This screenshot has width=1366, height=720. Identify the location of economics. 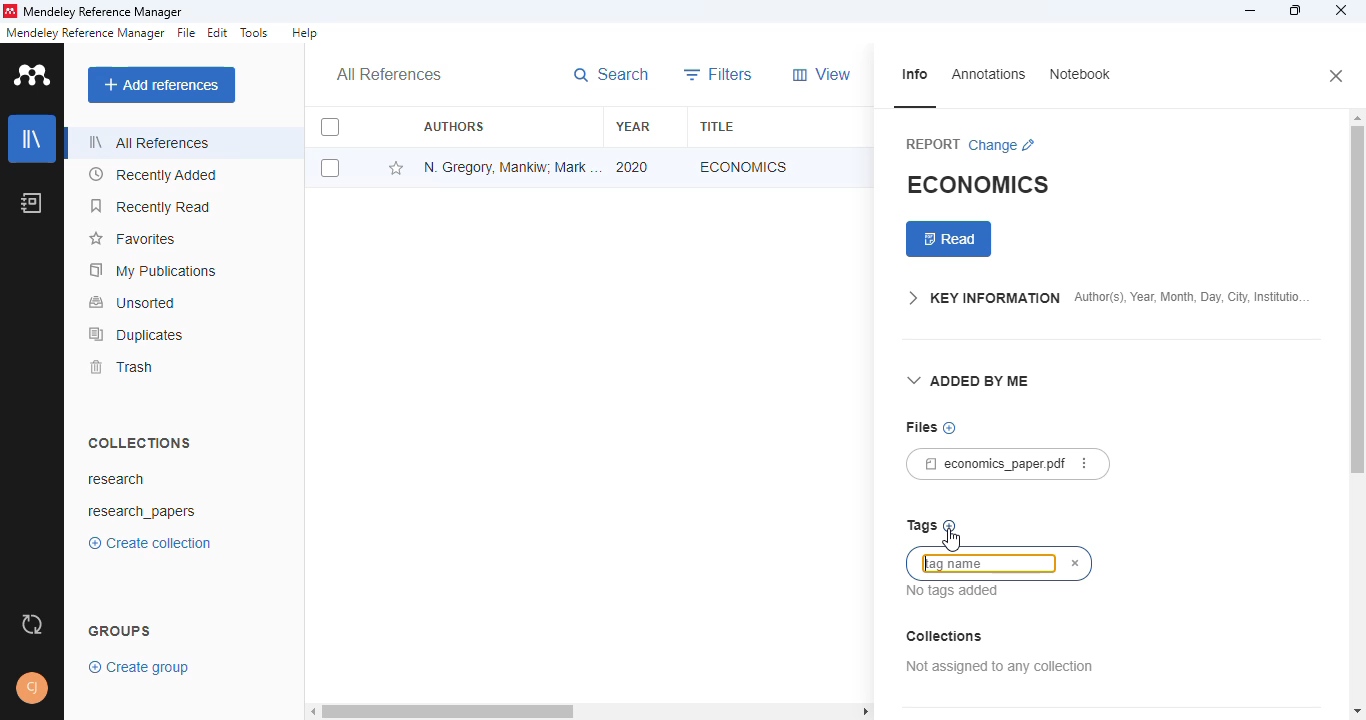
(980, 183).